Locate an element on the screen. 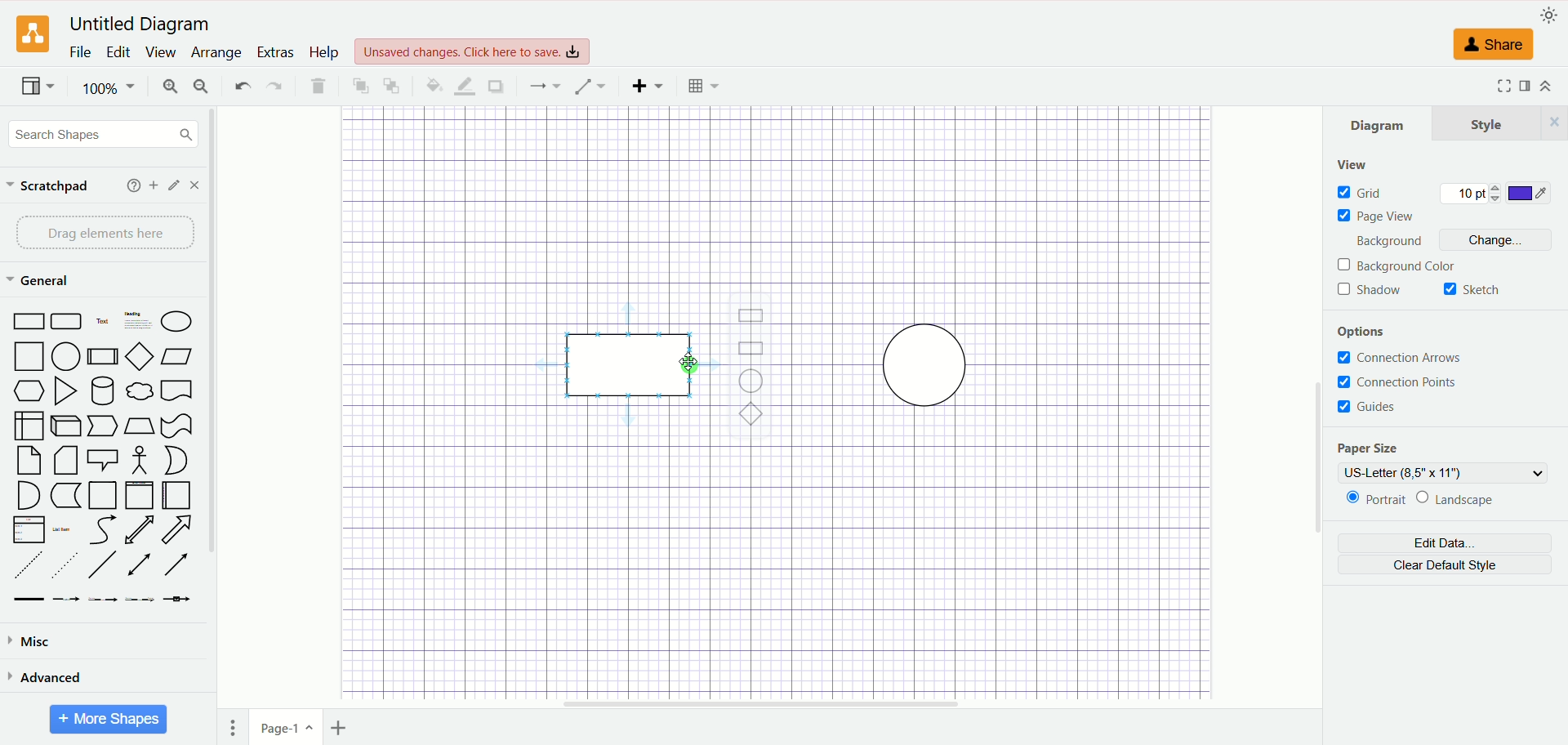 The image size is (1568, 745). Square is located at coordinates (29, 358).